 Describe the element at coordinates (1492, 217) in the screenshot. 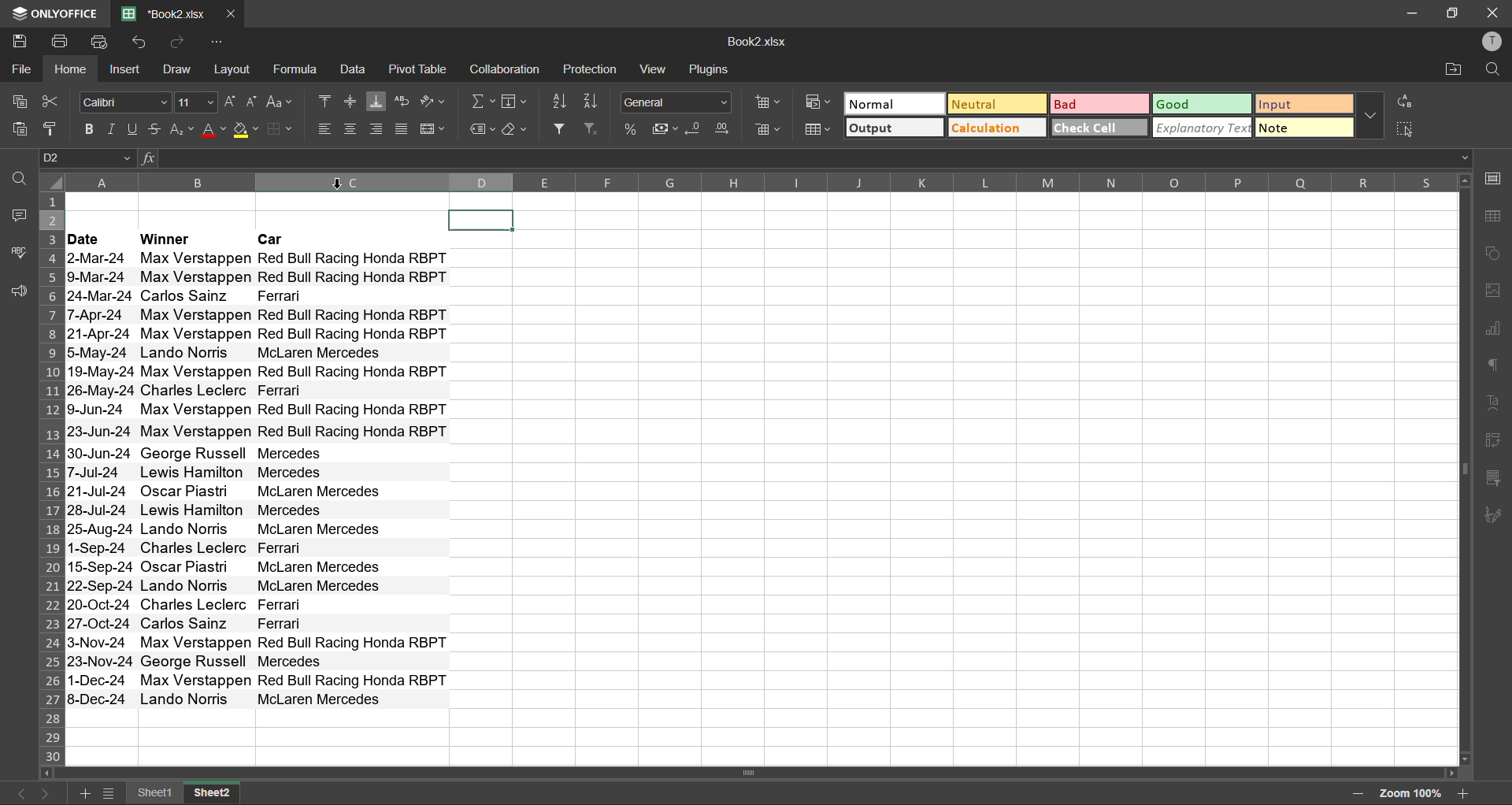

I see `table` at that location.